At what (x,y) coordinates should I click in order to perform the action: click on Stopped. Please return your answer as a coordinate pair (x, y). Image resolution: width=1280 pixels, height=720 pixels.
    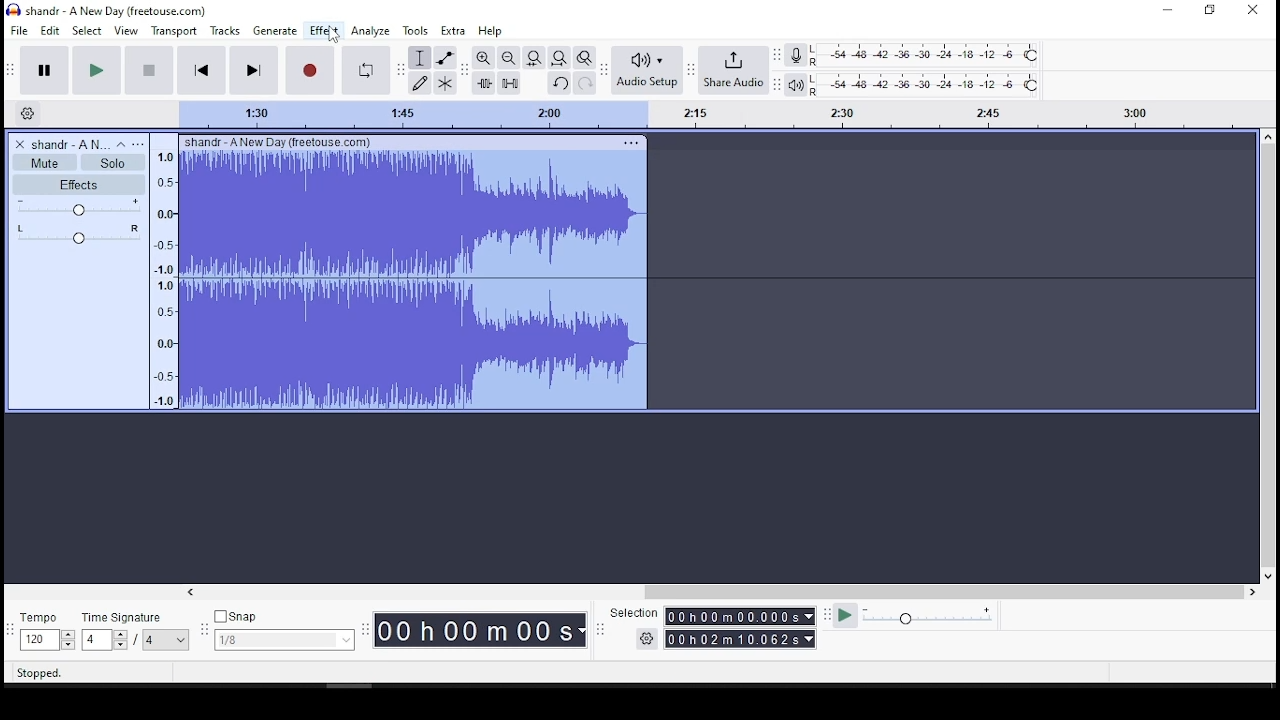
    Looking at the image, I should click on (40, 675).